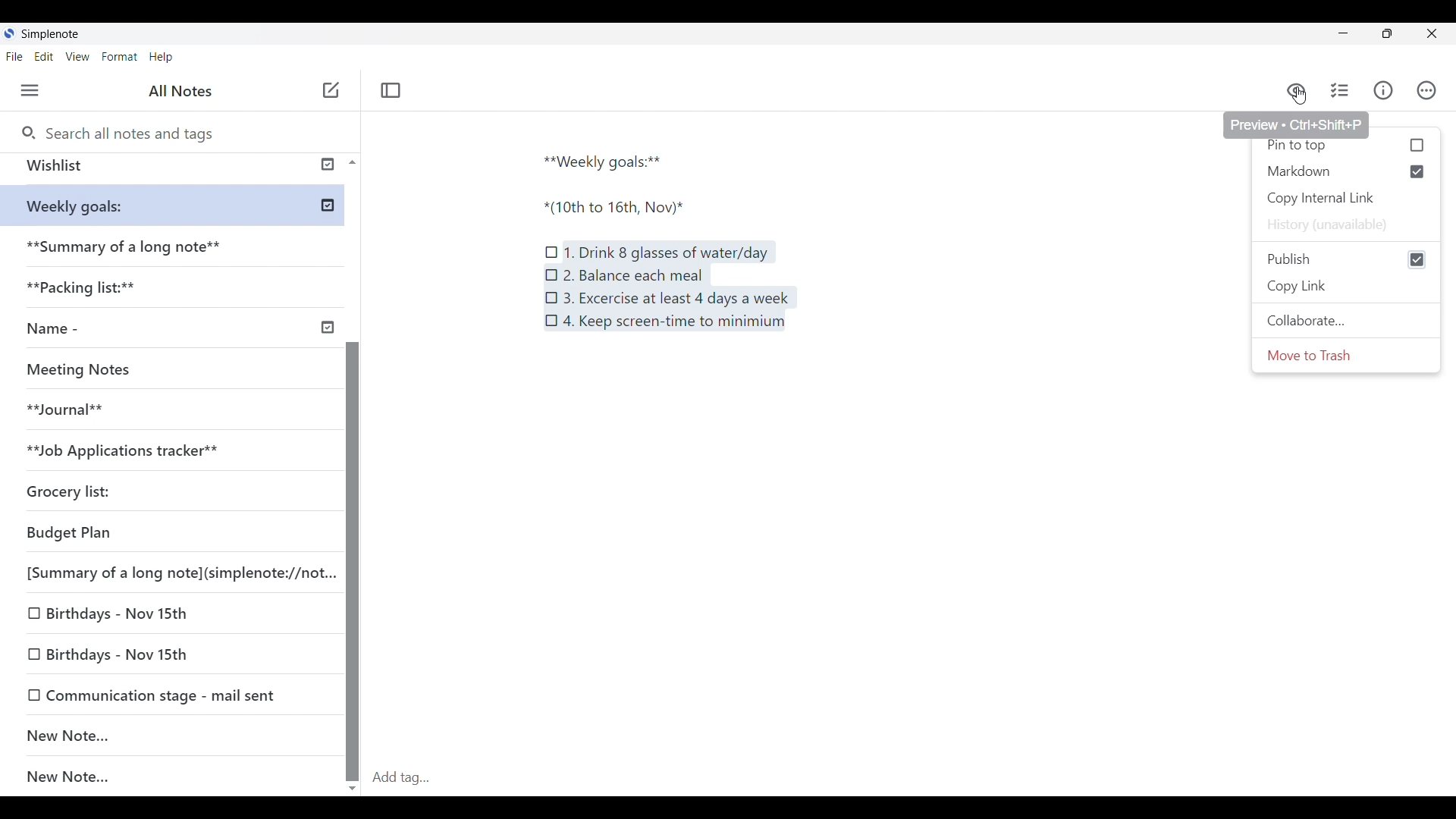 The height and width of the screenshot is (819, 1456). What do you see at coordinates (1294, 120) in the screenshot?
I see `Preview • Ctrl+shift+P` at bounding box center [1294, 120].